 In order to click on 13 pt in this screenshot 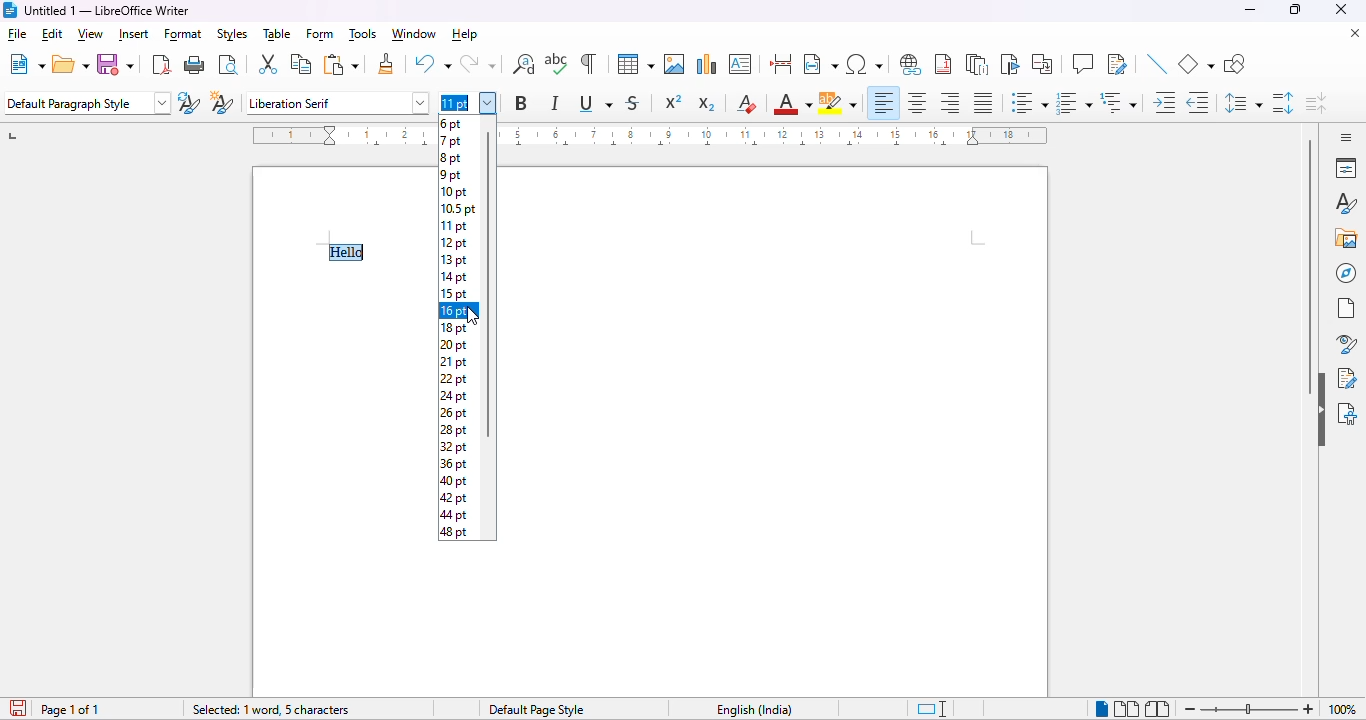, I will do `click(453, 261)`.